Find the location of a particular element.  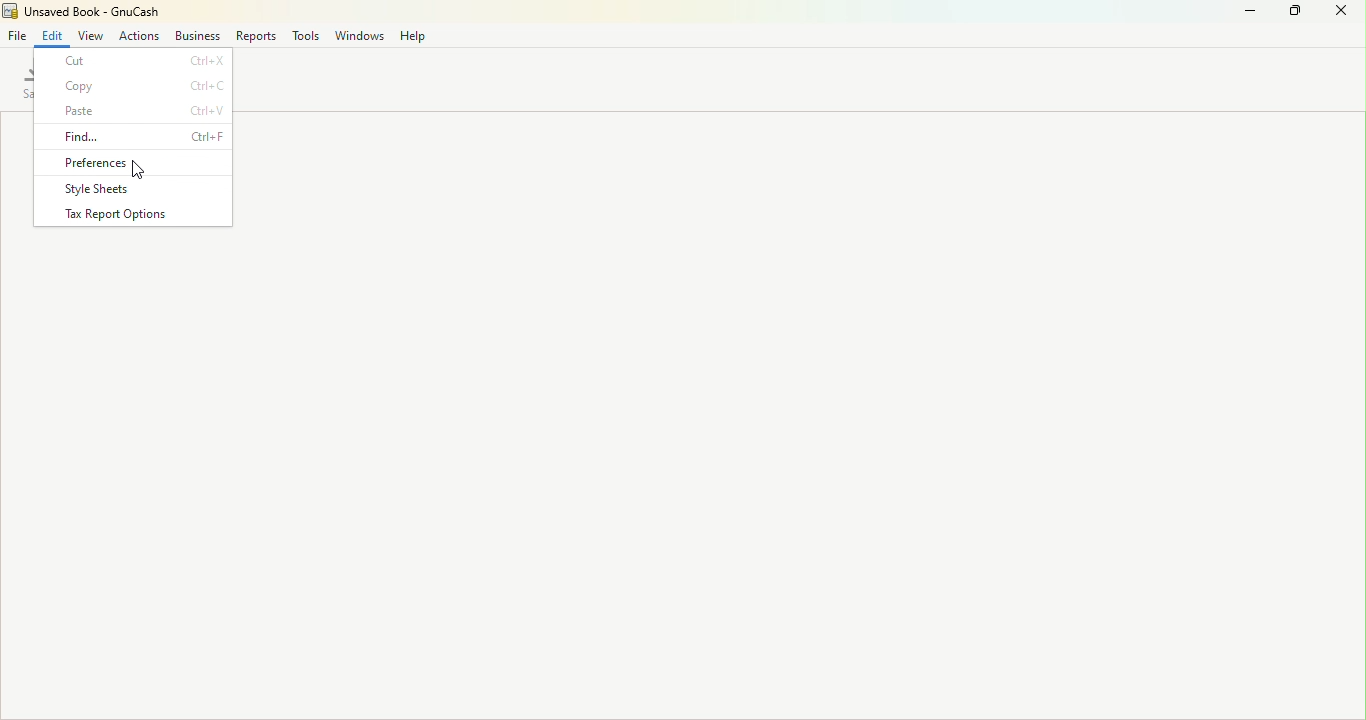

close is located at coordinates (1342, 14).